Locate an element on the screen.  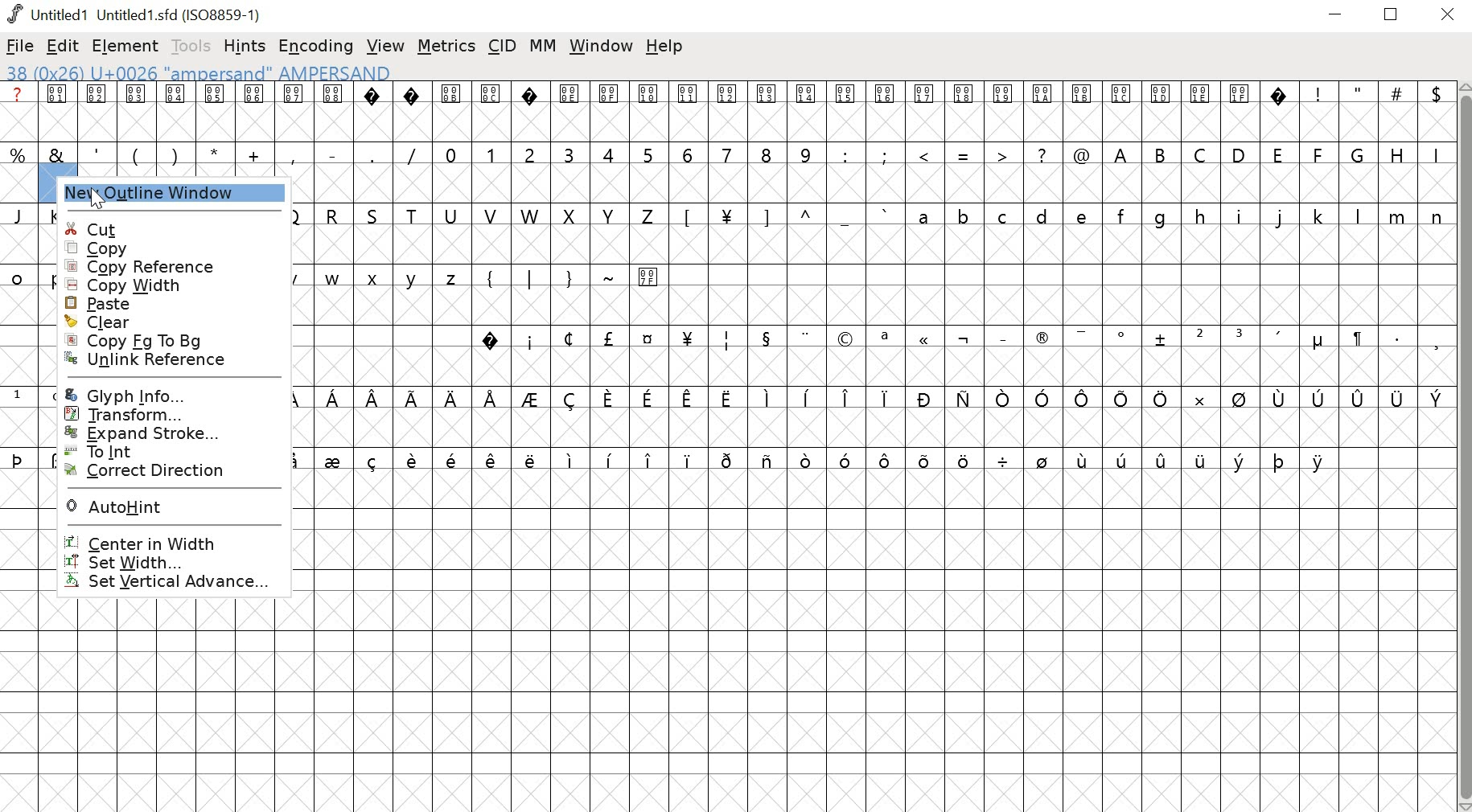
S is located at coordinates (375, 215).